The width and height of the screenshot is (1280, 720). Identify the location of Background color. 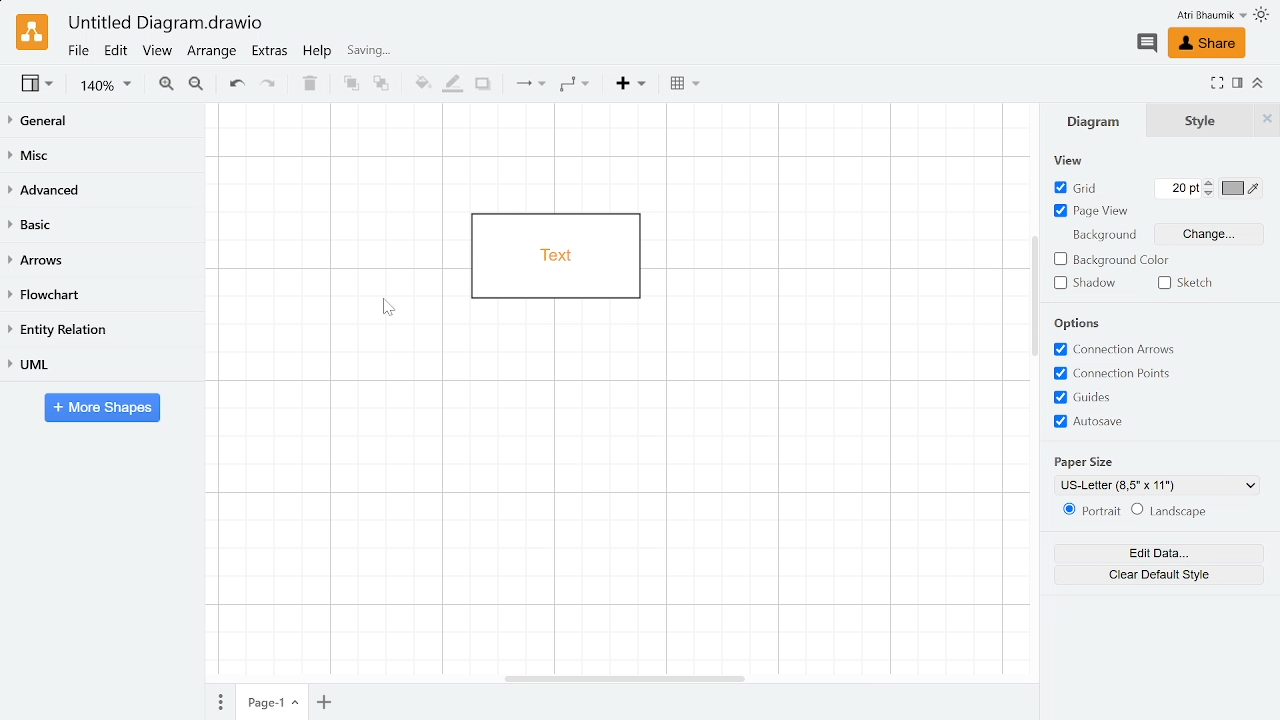
(1114, 260).